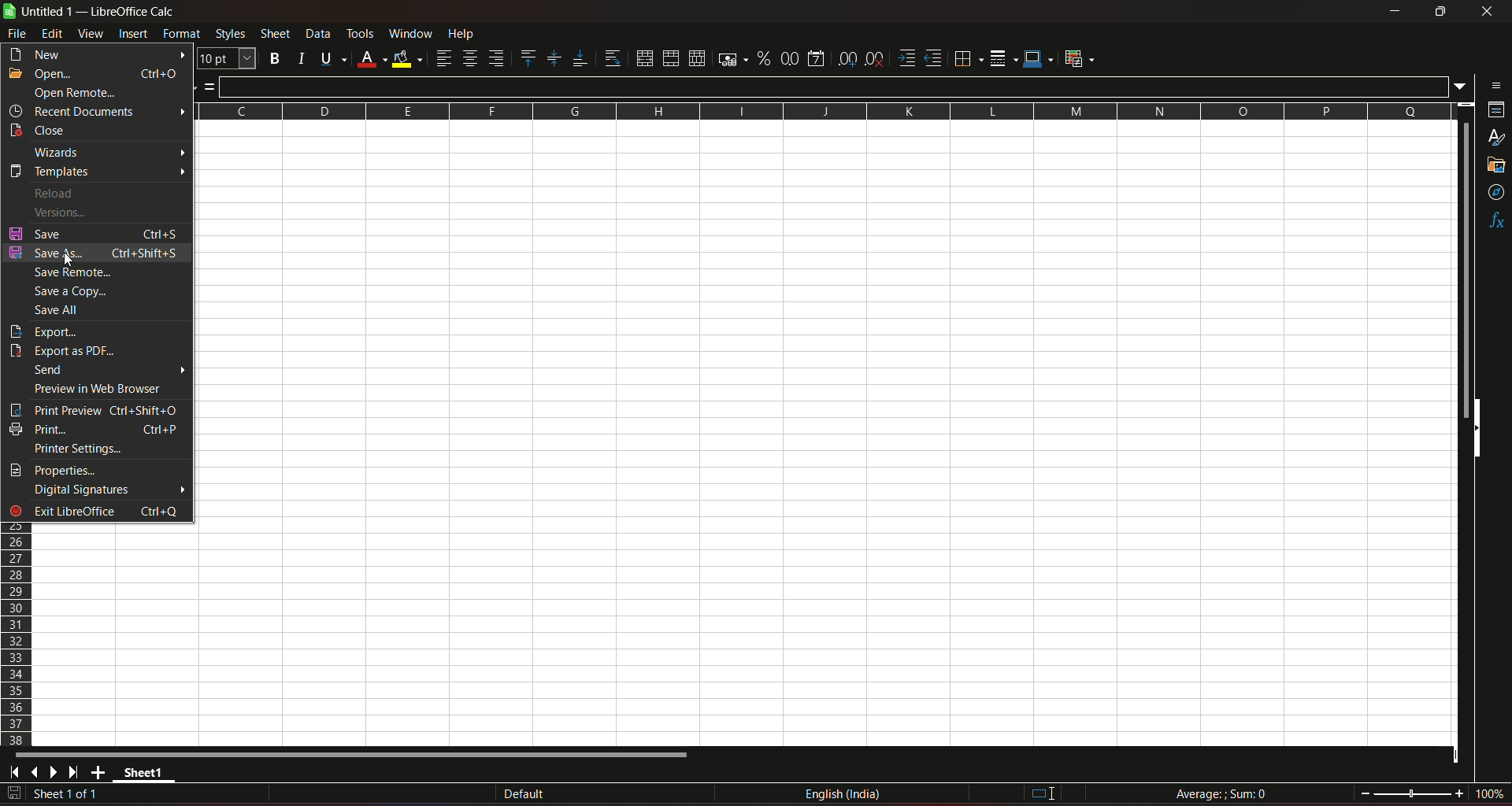  What do you see at coordinates (1393, 12) in the screenshot?
I see `minimize` at bounding box center [1393, 12].